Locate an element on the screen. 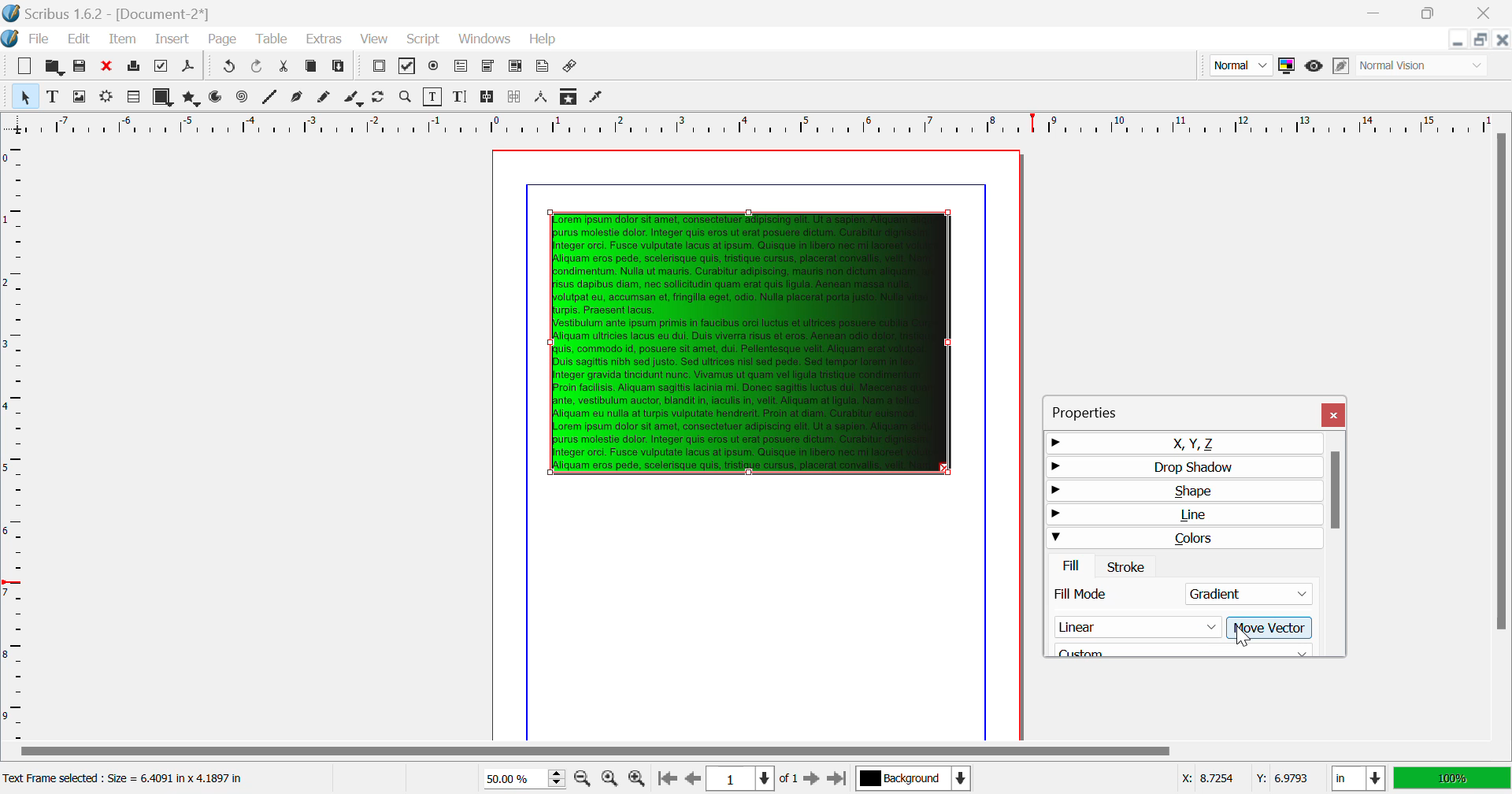  Pdf Combo Box is located at coordinates (487, 67).